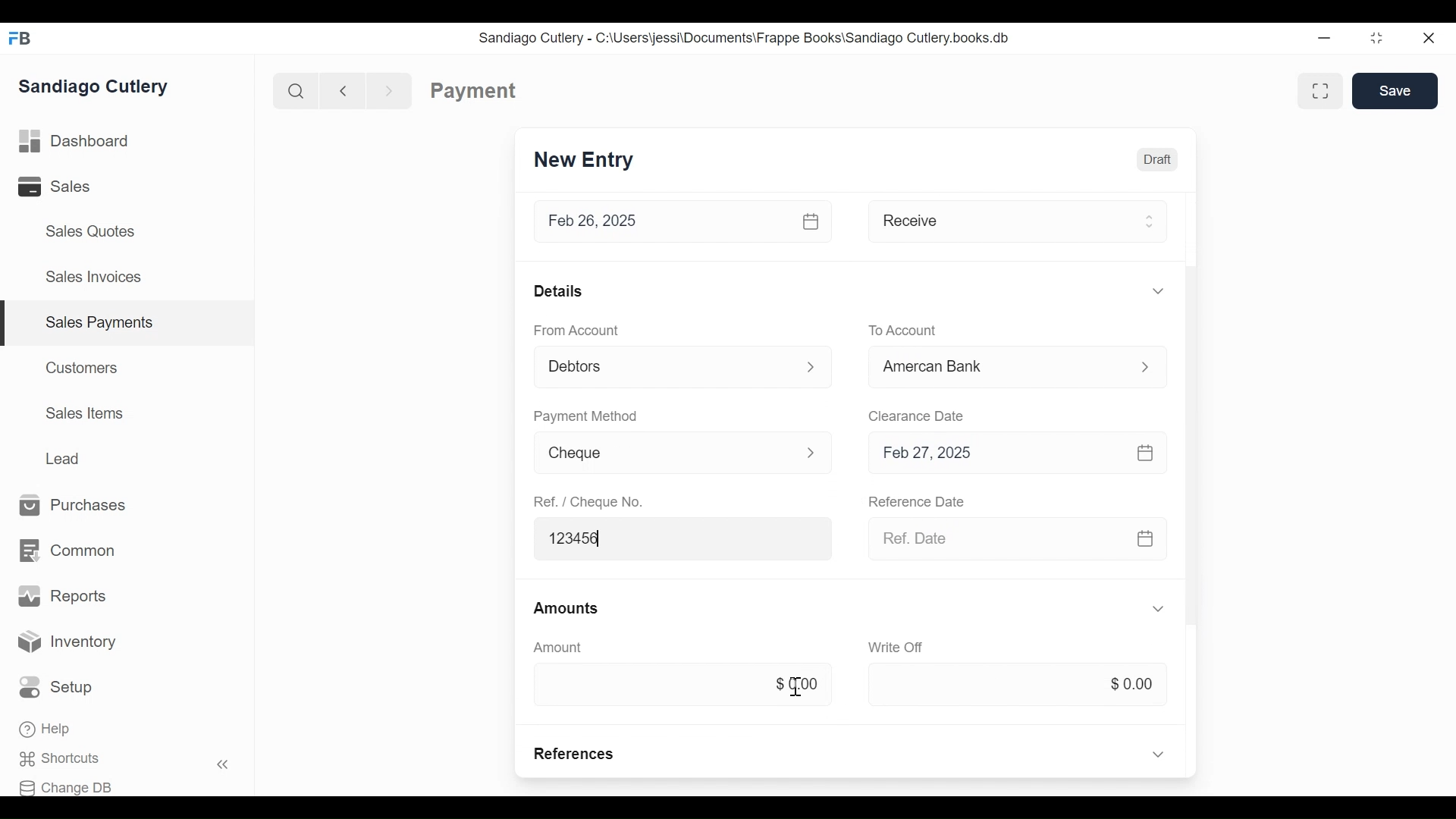 This screenshot has height=819, width=1456. I want to click on Restore, so click(1376, 39).